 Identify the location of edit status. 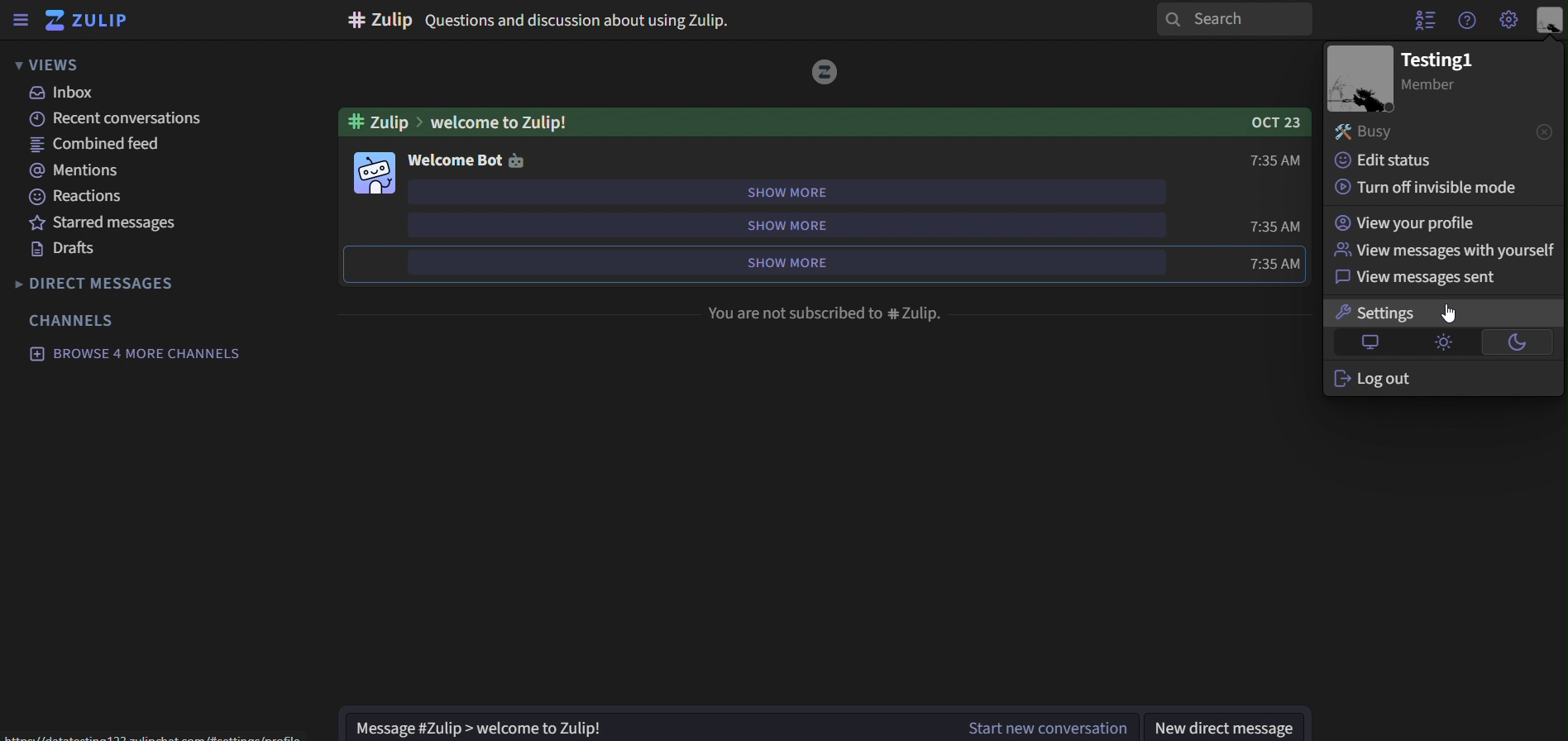
(1395, 164).